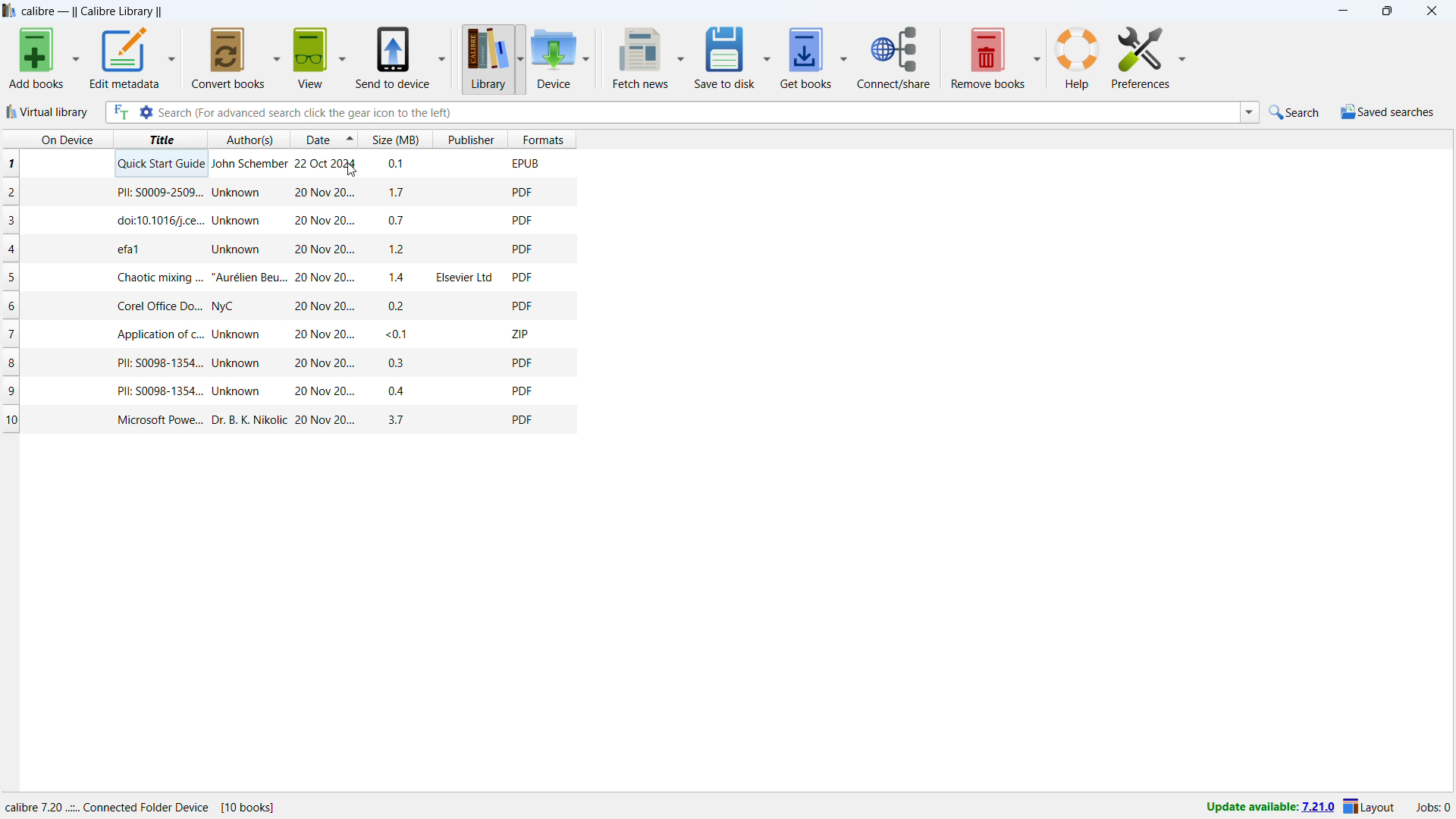  Describe the element at coordinates (49, 112) in the screenshot. I see `virtual library` at that location.